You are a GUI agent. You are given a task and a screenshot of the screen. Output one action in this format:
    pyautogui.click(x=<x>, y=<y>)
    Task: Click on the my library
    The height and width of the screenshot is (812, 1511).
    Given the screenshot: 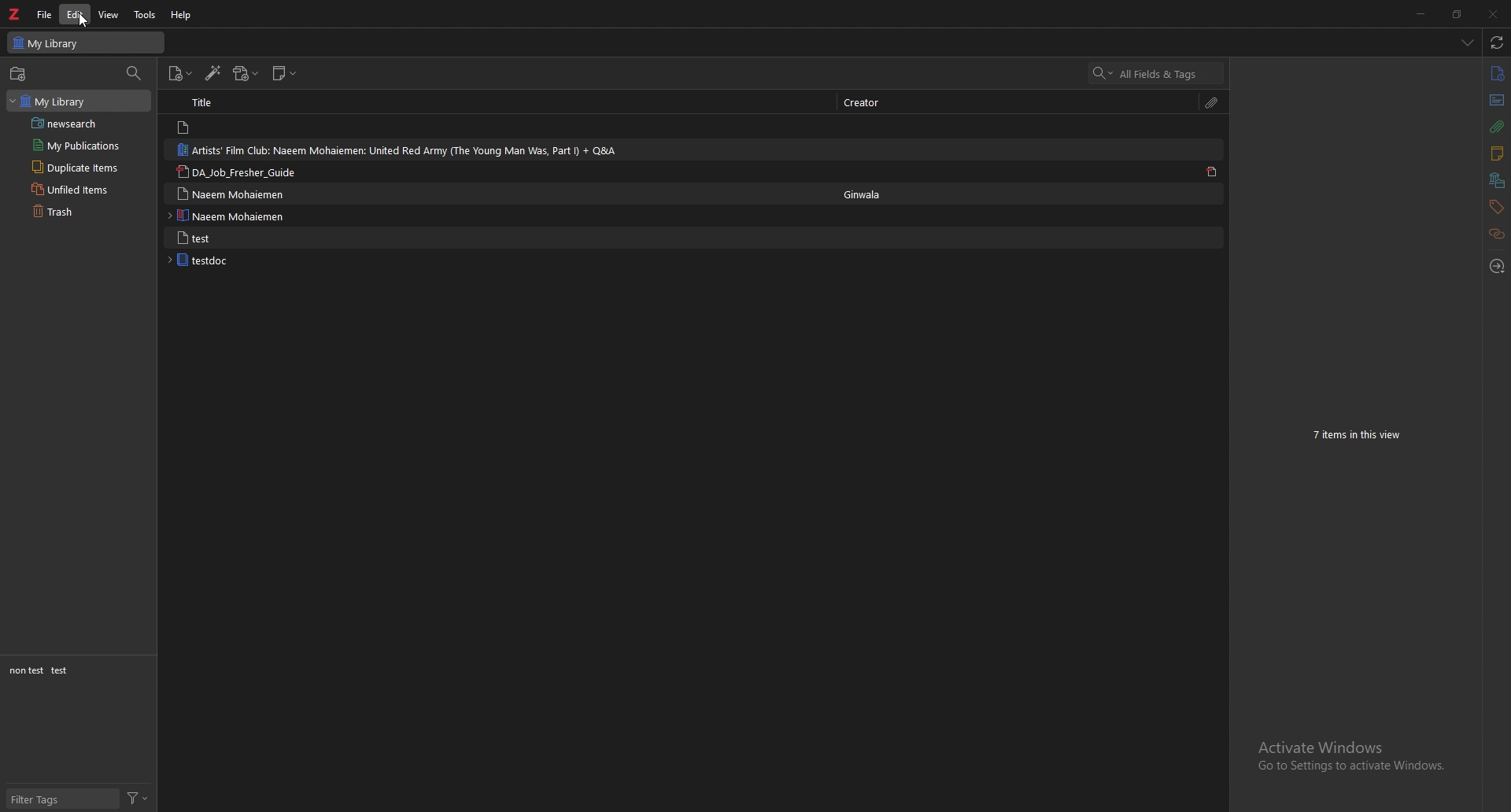 What is the action you would take?
    pyautogui.click(x=88, y=42)
    